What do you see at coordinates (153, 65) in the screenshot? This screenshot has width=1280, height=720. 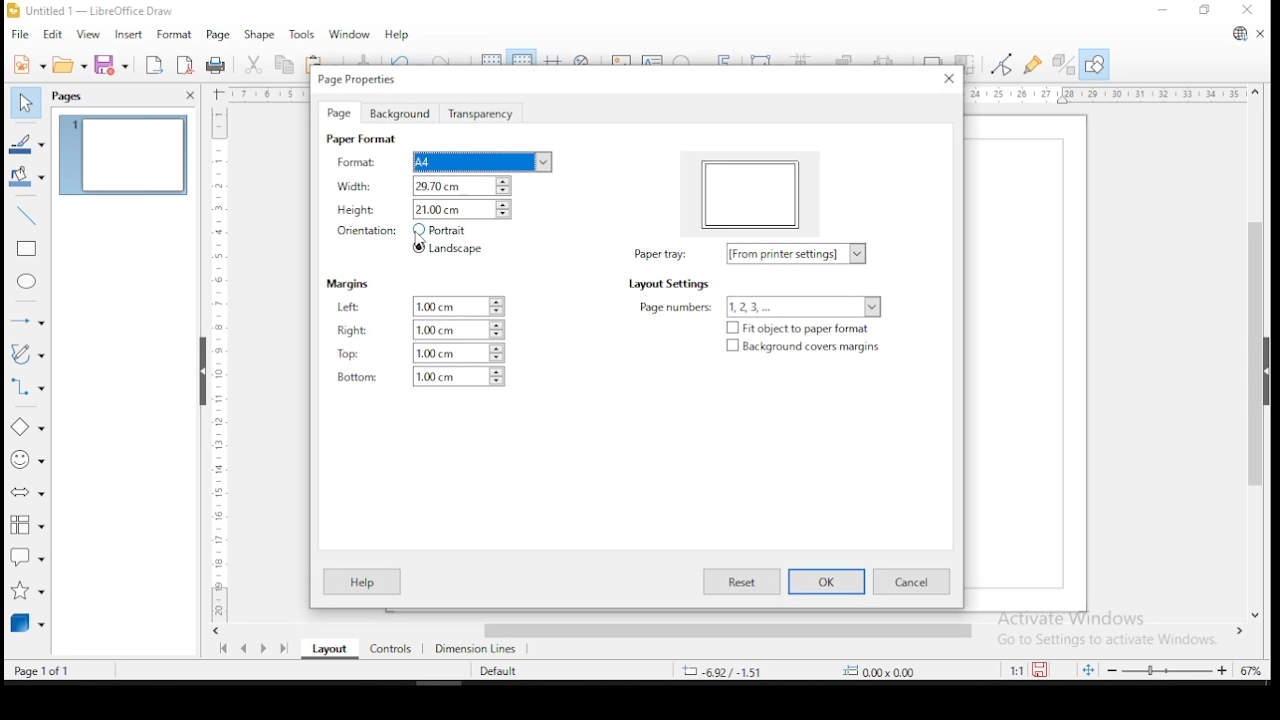 I see `export` at bounding box center [153, 65].